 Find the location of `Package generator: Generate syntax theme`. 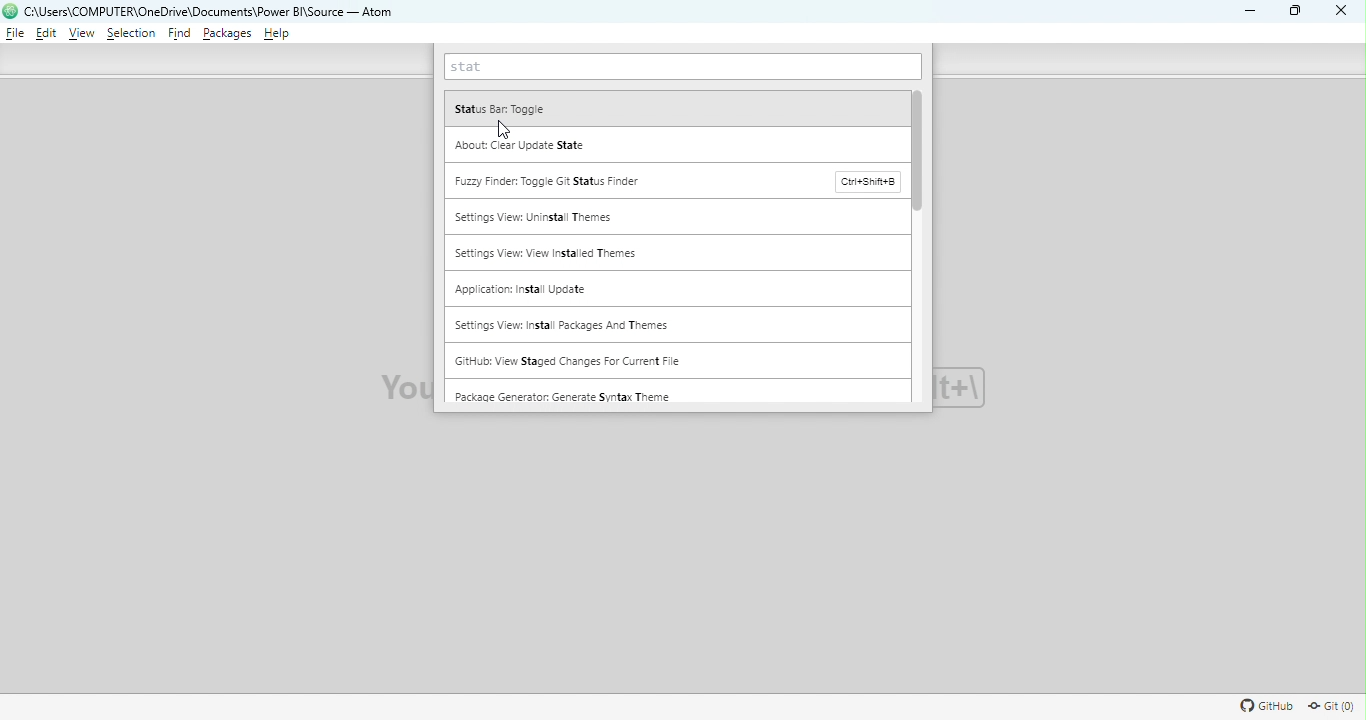

Package generator: Generate syntax theme is located at coordinates (675, 391).